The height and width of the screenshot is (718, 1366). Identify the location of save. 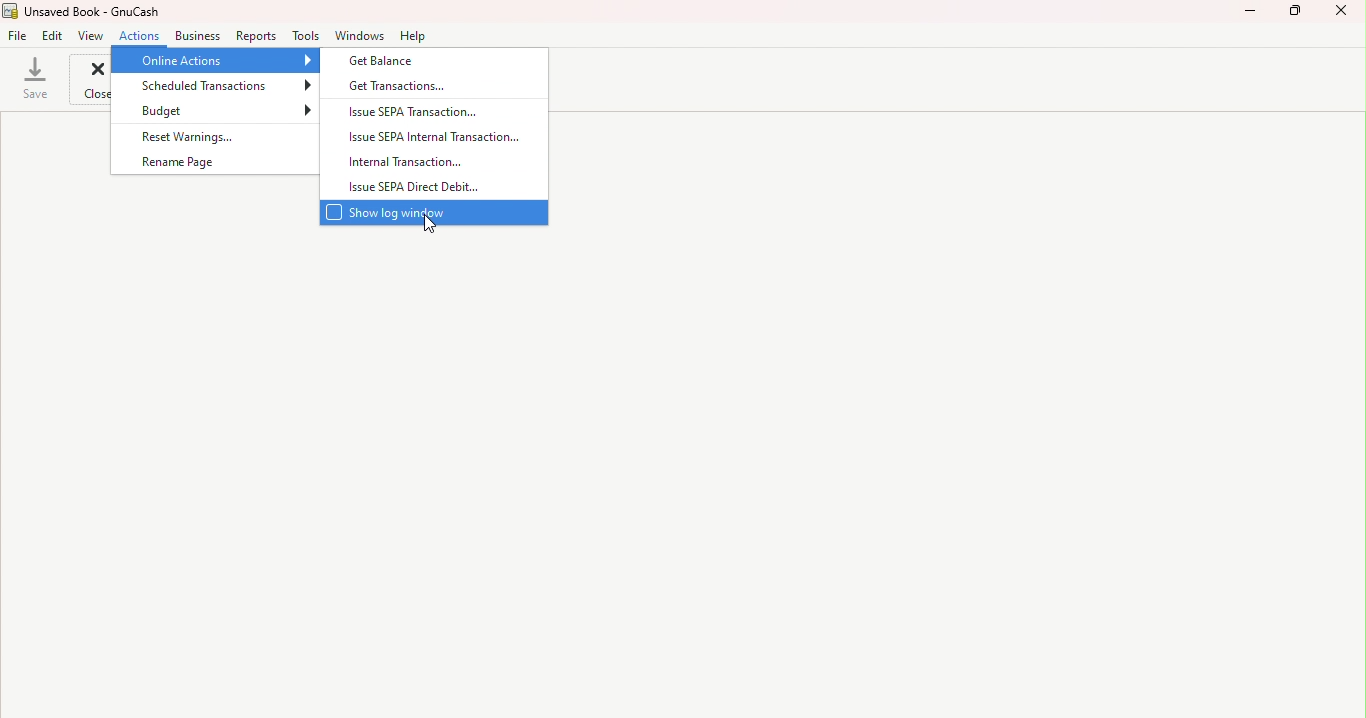
(36, 78).